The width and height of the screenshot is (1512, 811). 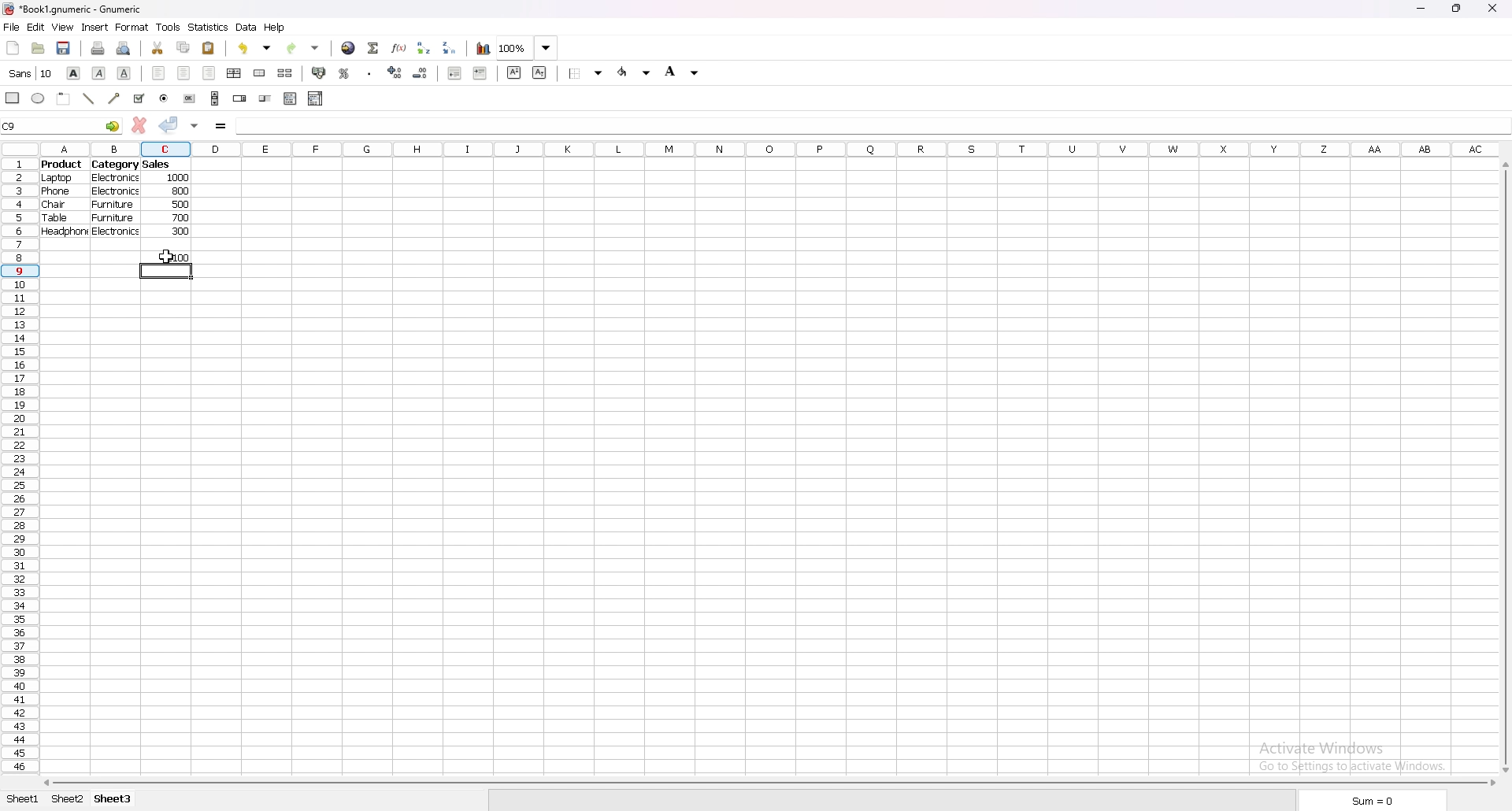 I want to click on background, so click(x=684, y=72).